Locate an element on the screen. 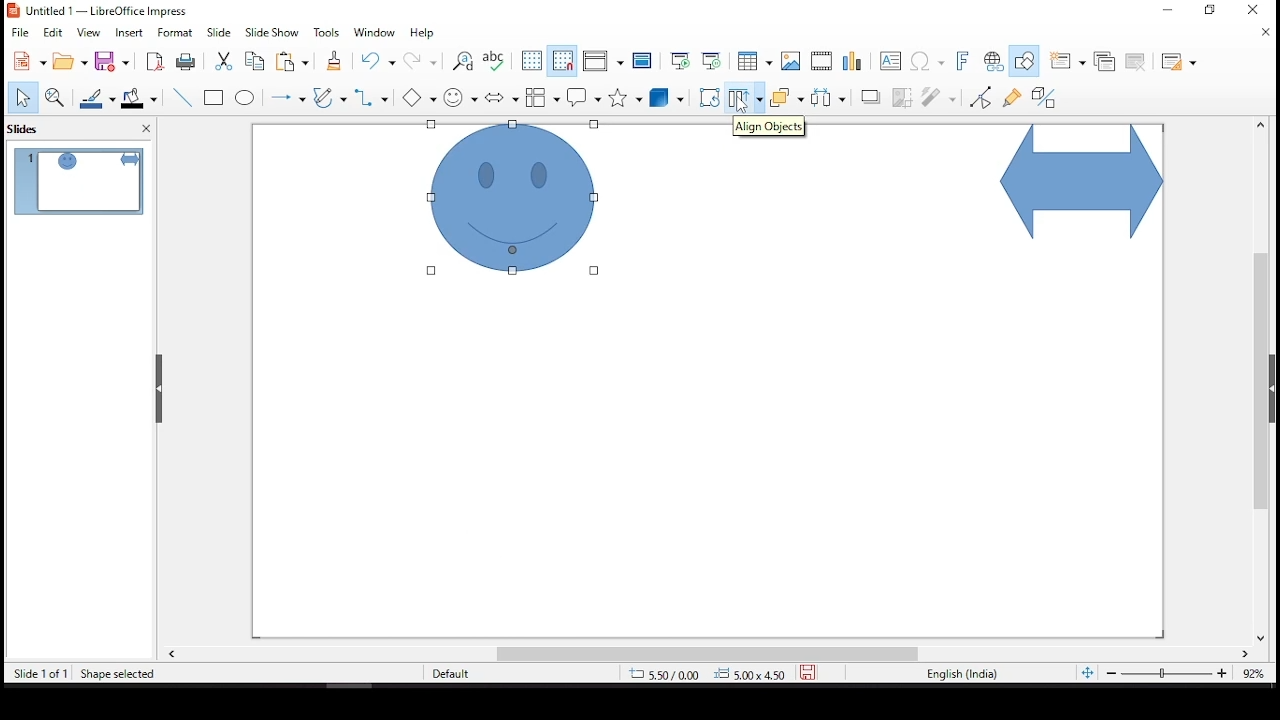 The width and height of the screenshot is (1280, 720). insert special characters is located at coordinates (929, 62).